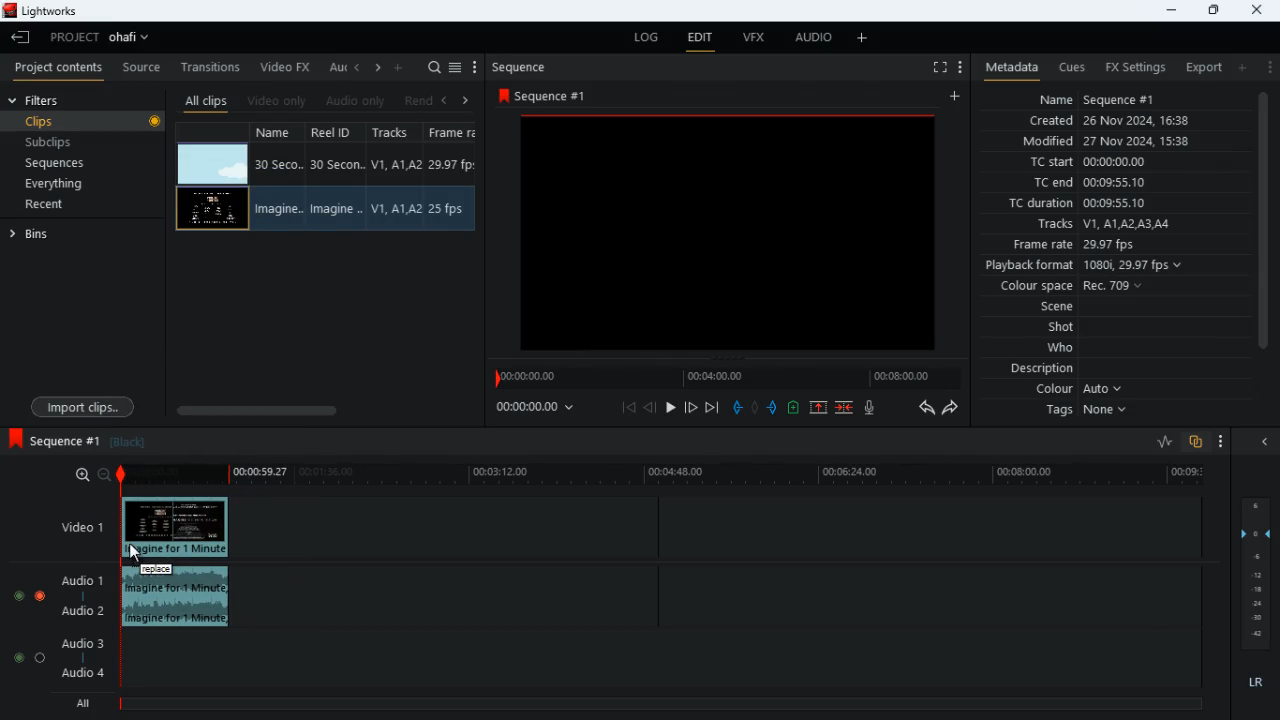  I want to click on sequence, so click(58, 440).